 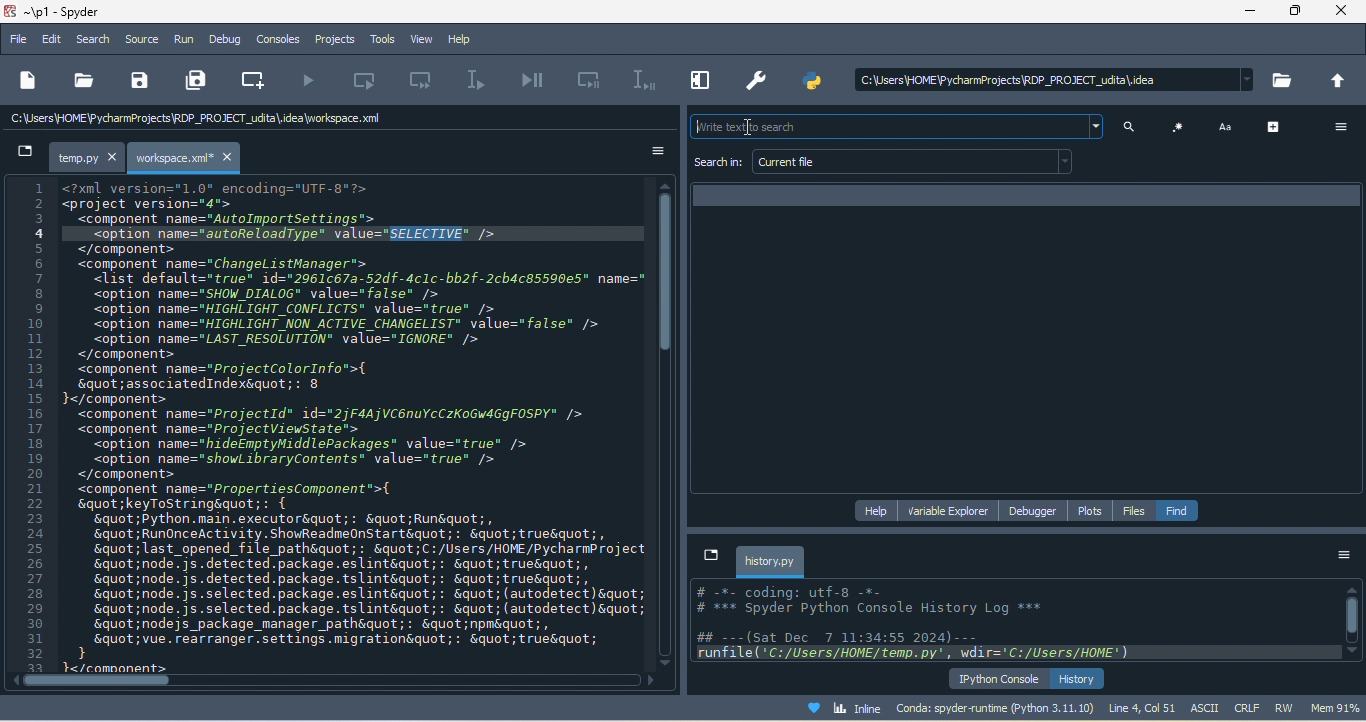 I want to click on browse tabs, so click(x=709, y=555).